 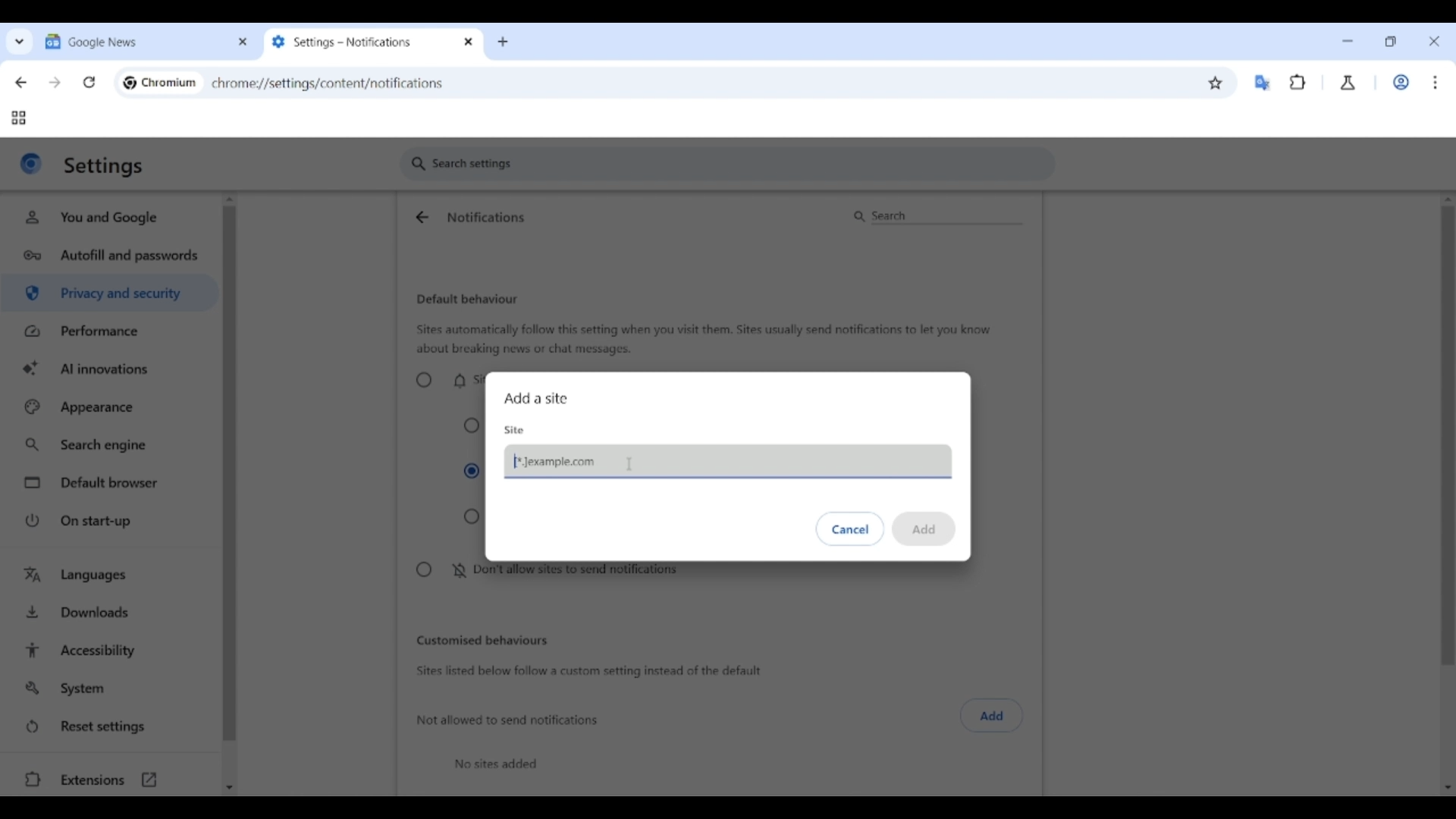 I want to click on Quick slide to top, so click(x=230, y=199).